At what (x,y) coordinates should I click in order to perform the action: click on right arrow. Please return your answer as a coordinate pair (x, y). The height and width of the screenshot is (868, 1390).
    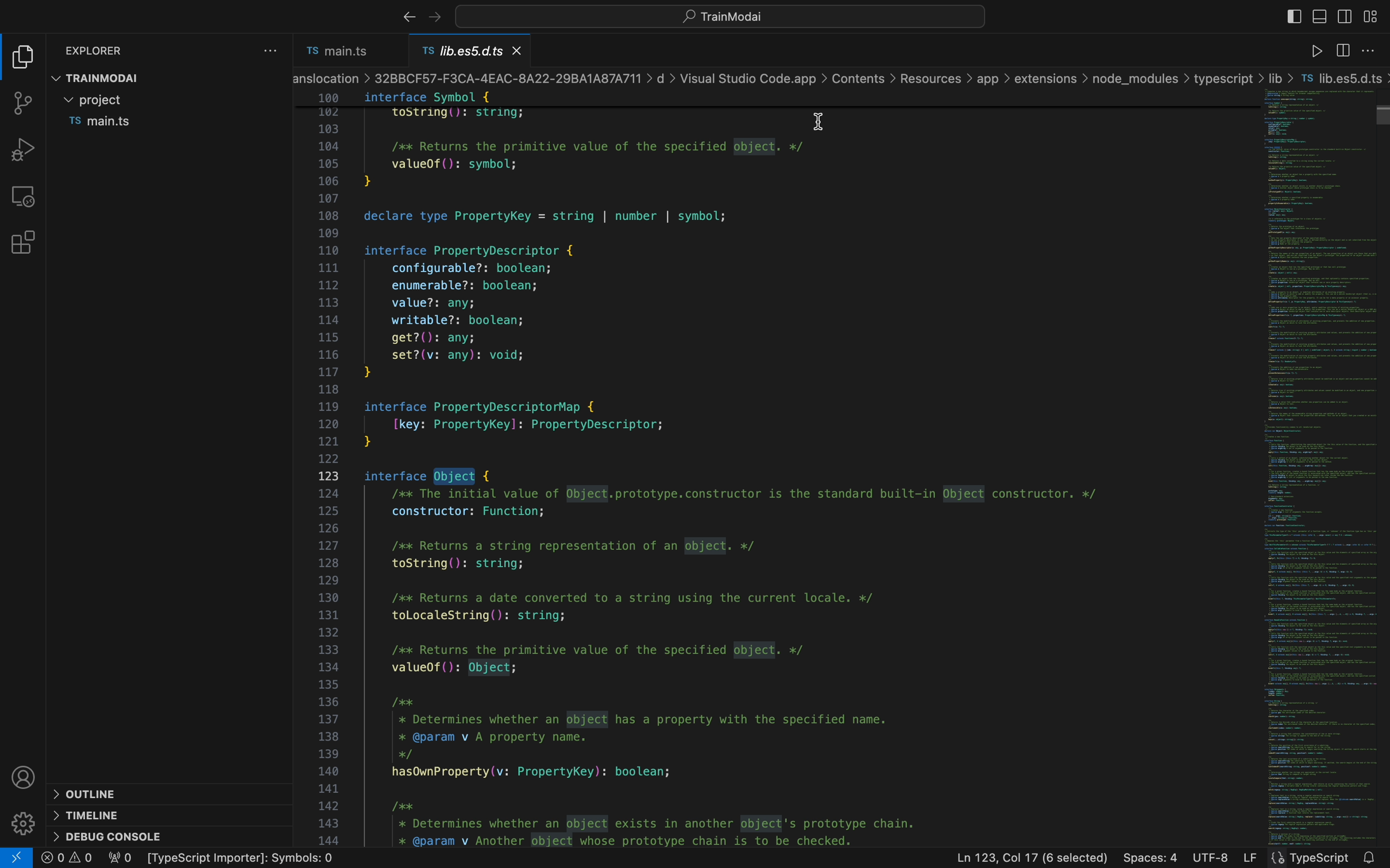
    Looking at the image, I should click on (403, 17).